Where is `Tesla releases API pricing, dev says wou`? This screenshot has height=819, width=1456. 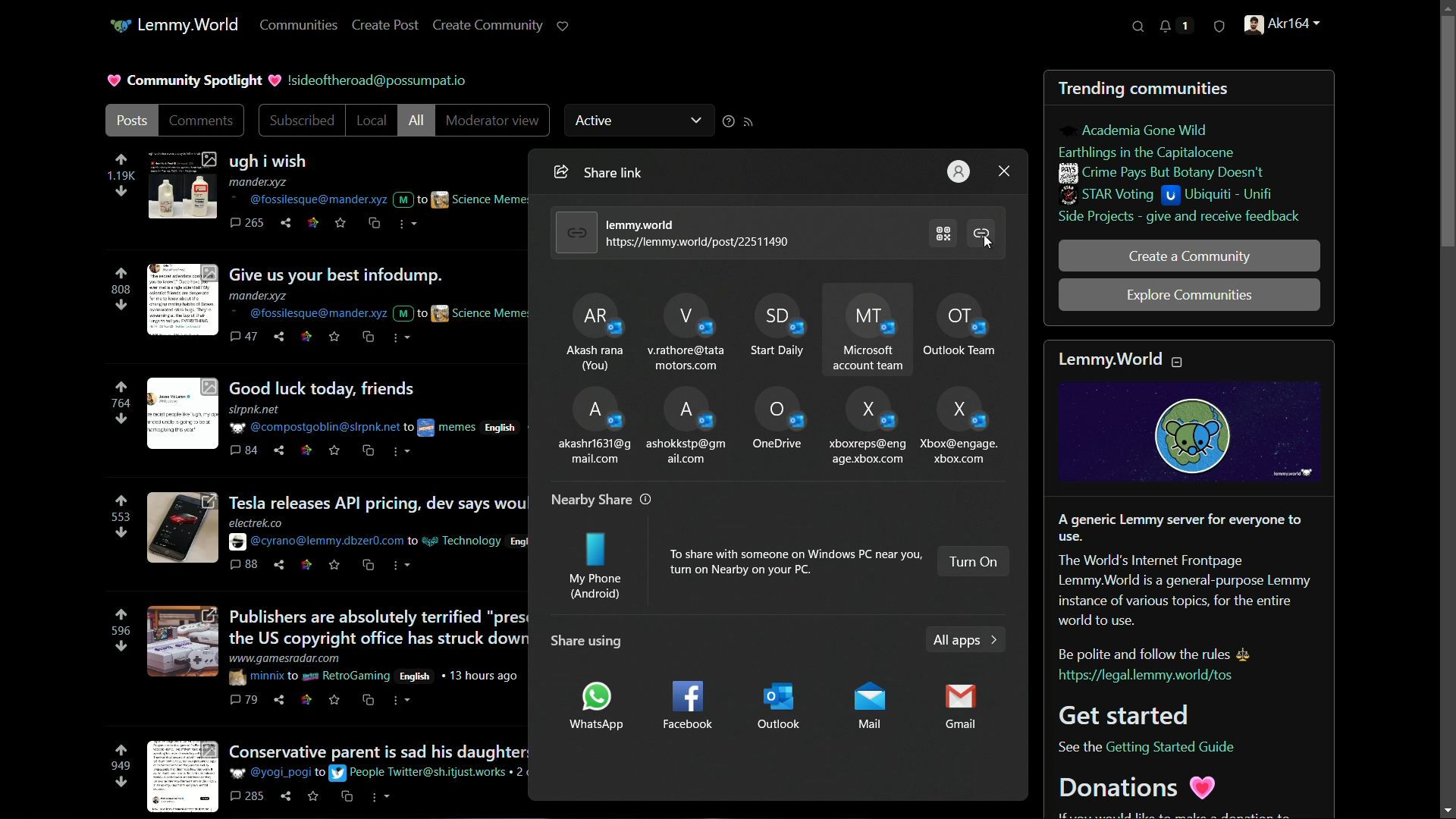 Tesla releases API pricing, dev says wou is located at coordinates (377, 504).